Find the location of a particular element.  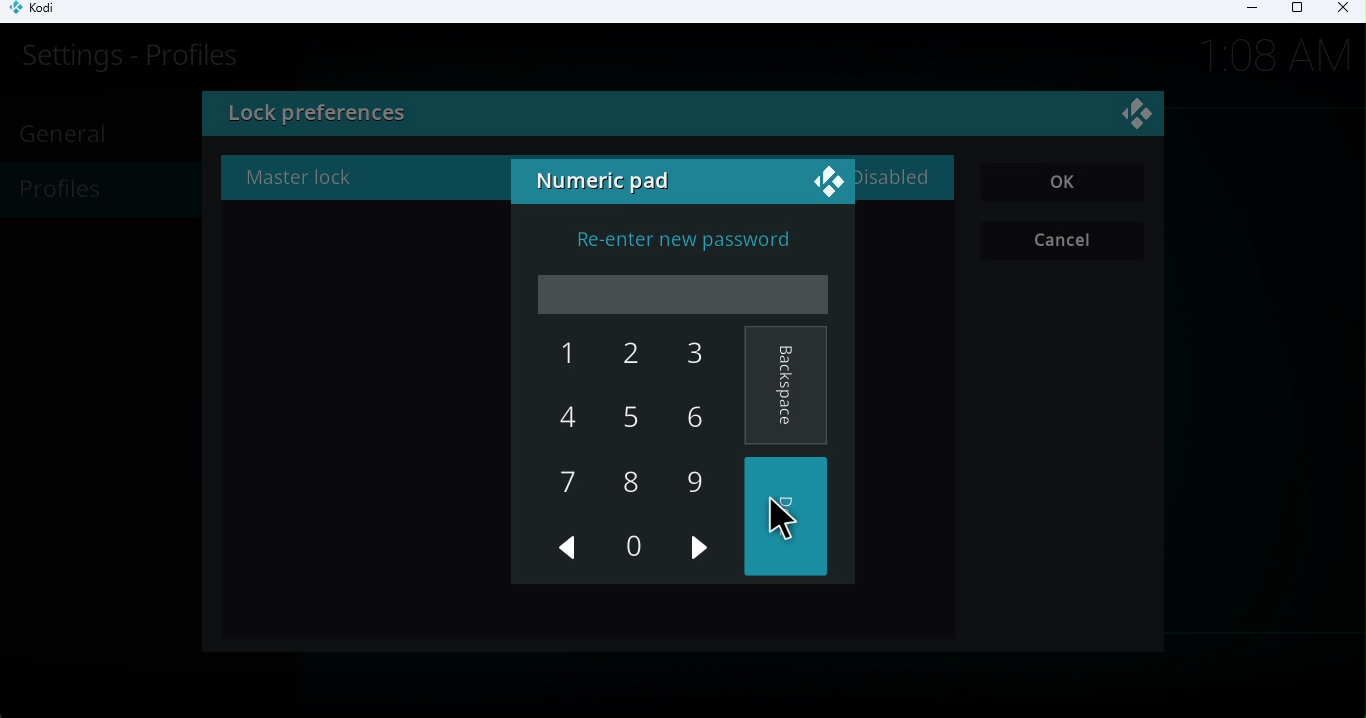

Next is located at coordinates (702, 559).